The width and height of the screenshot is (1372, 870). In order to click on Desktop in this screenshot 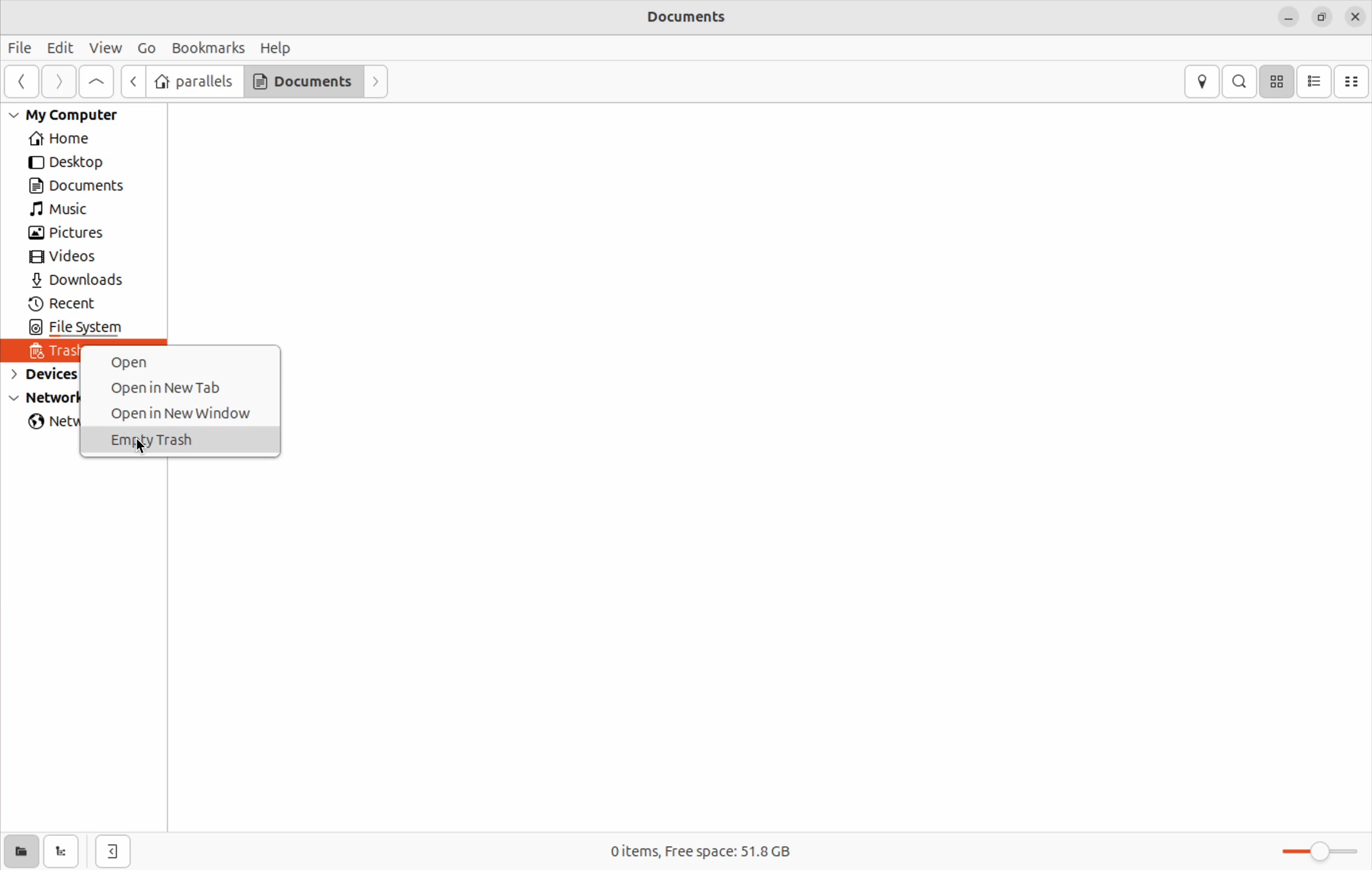, I will do `click(76, 161)`.